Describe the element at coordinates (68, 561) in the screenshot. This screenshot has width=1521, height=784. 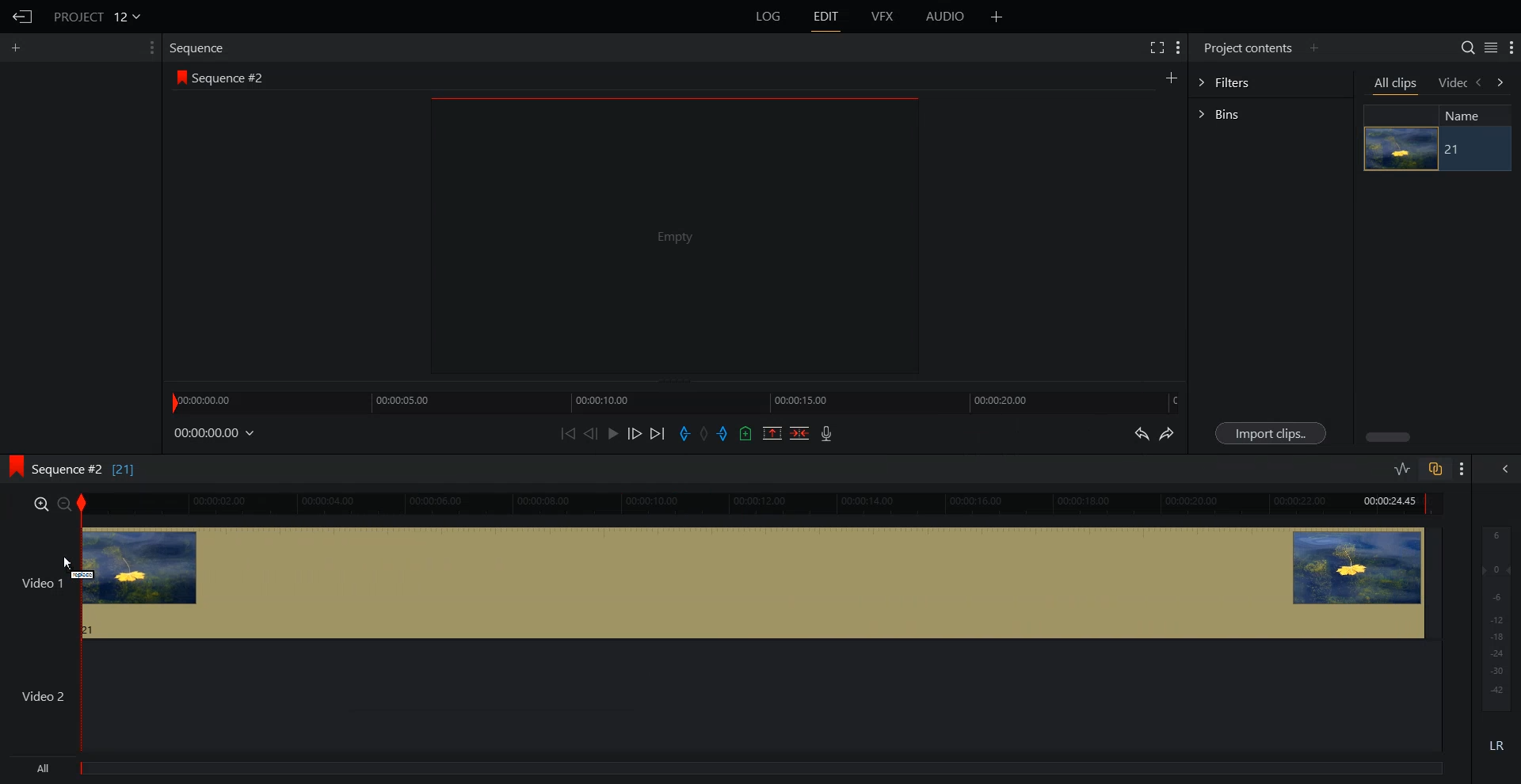
I see `cursor` at that location.